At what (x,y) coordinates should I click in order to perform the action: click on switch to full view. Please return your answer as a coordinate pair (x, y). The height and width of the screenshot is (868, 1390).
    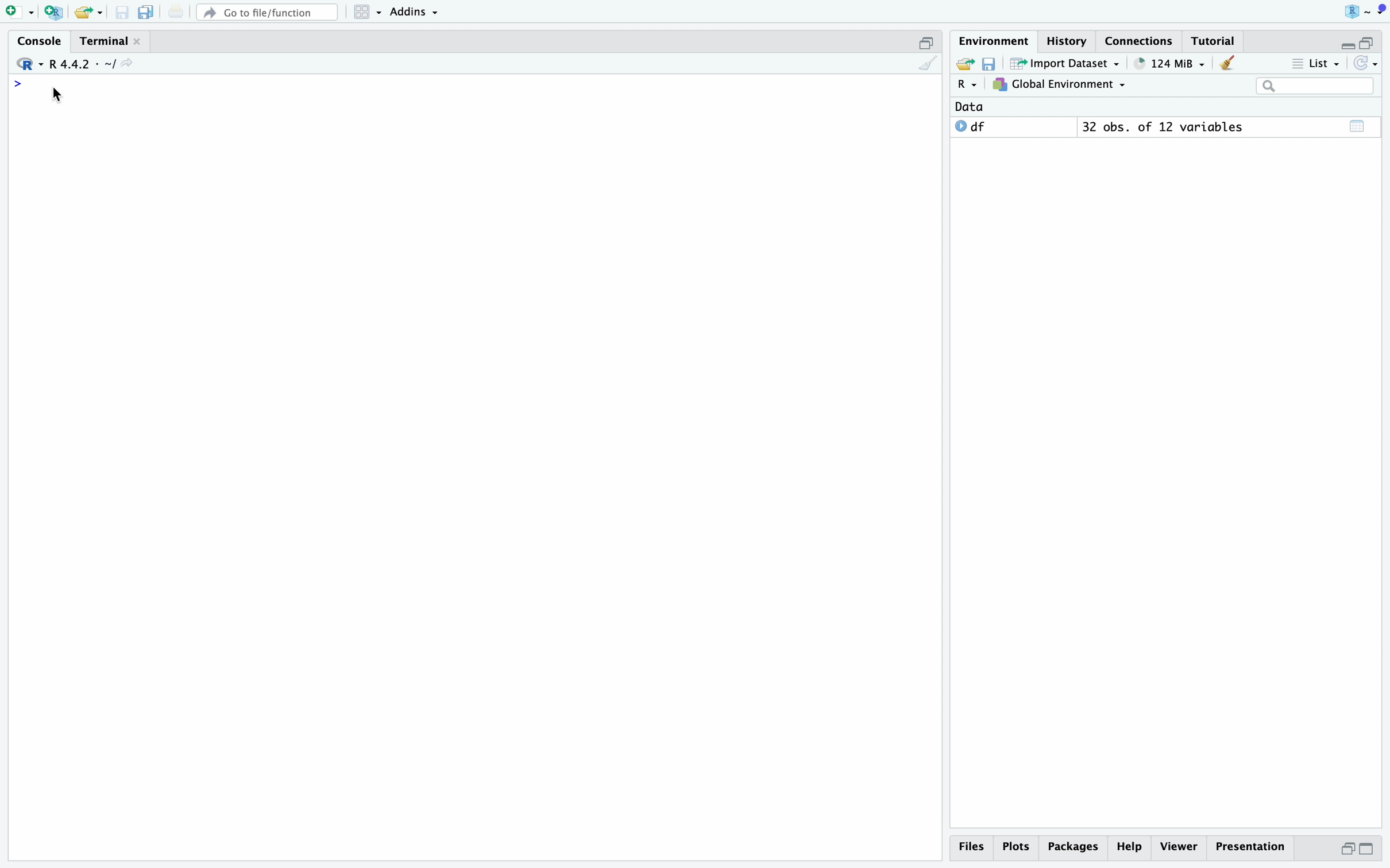
    Looking at the image, I should click on (1368, 850).